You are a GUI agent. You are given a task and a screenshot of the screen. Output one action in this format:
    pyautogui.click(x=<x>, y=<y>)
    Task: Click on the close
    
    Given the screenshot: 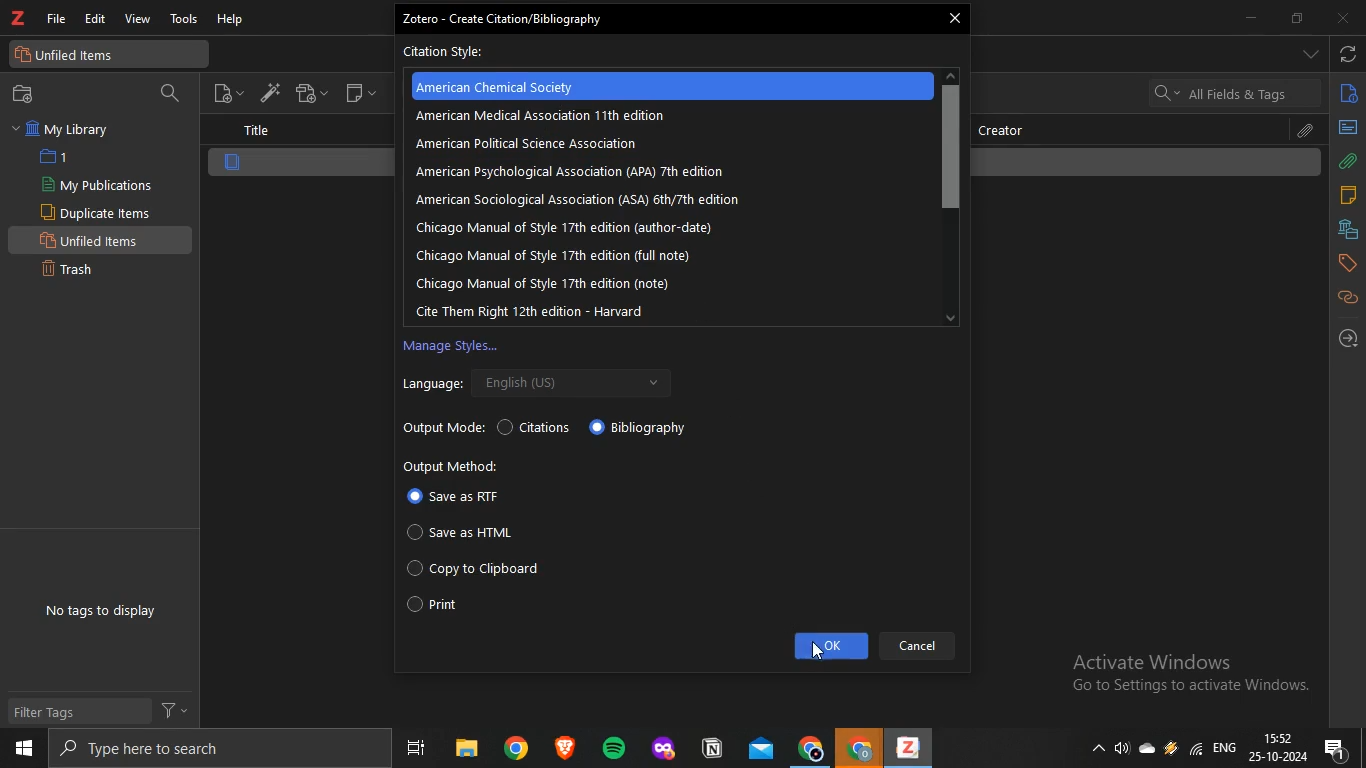 What is the action you would take?
    pyautogui.click(x=955, y=20)
    